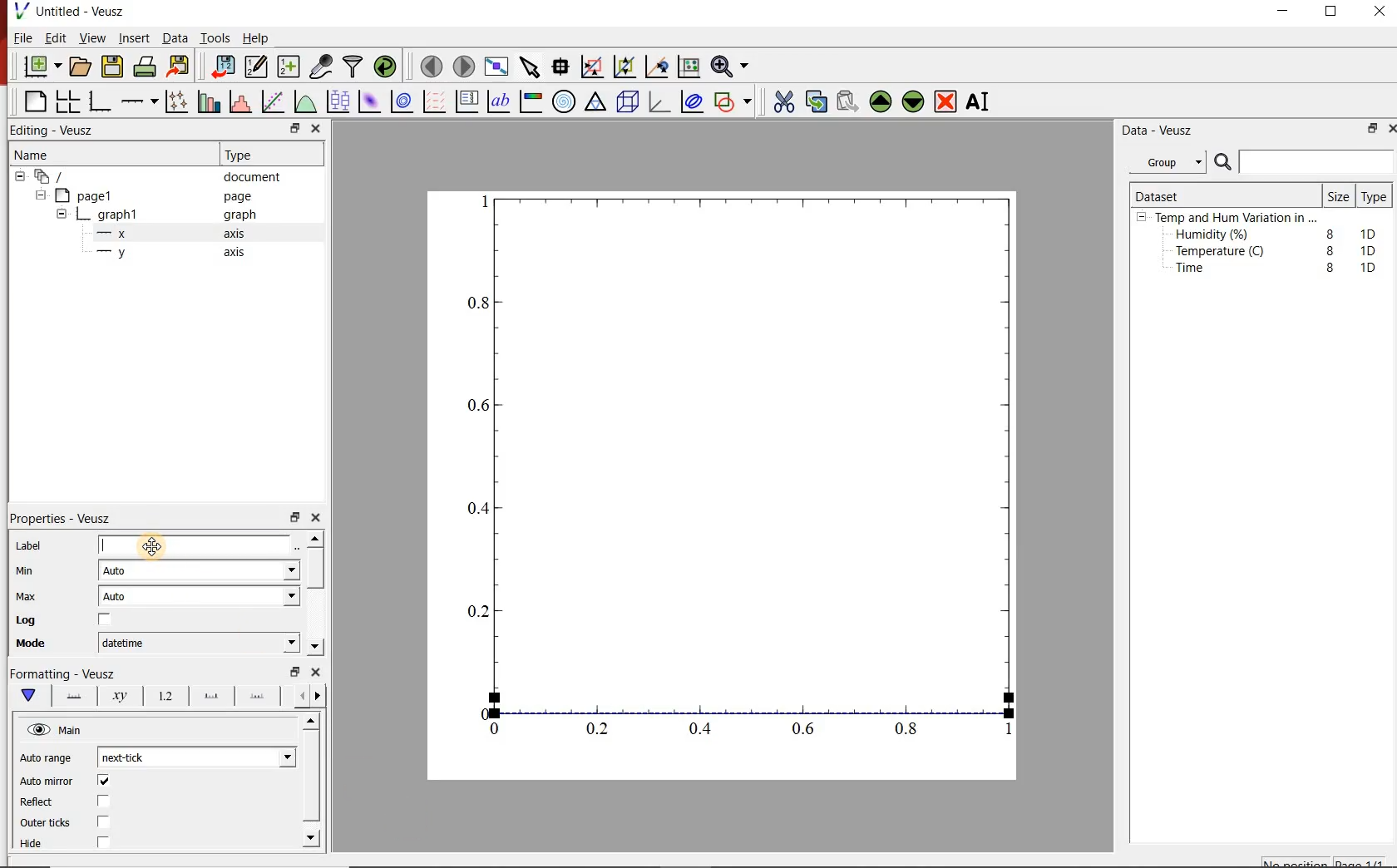 This screenshot has width=1397, height=868. What do you see at coordinates (317, 128) in the screenshot?
I see `close` at bounding box center [317, 128].